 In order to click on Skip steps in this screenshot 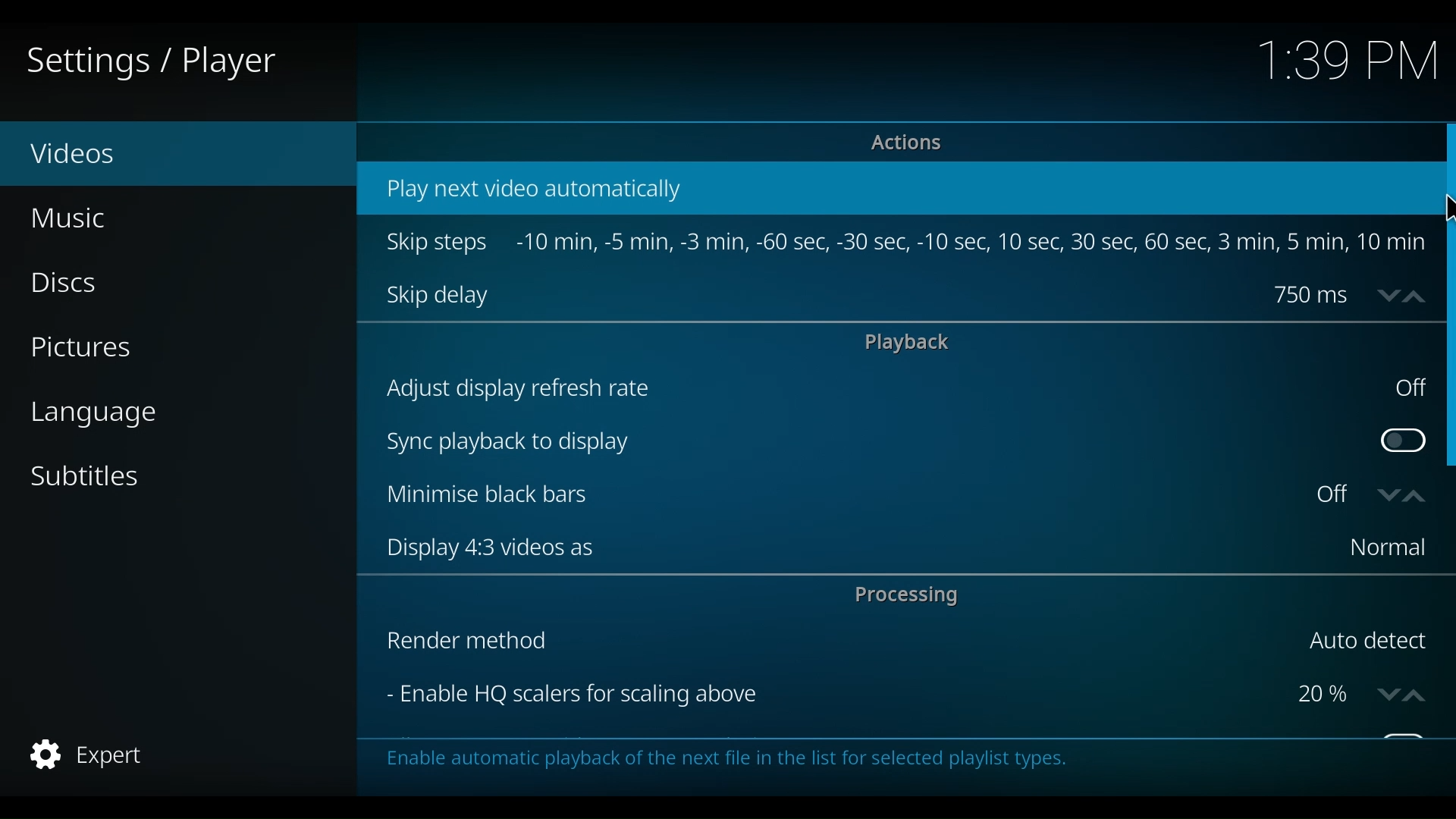, I will do `click(438, 243)`.